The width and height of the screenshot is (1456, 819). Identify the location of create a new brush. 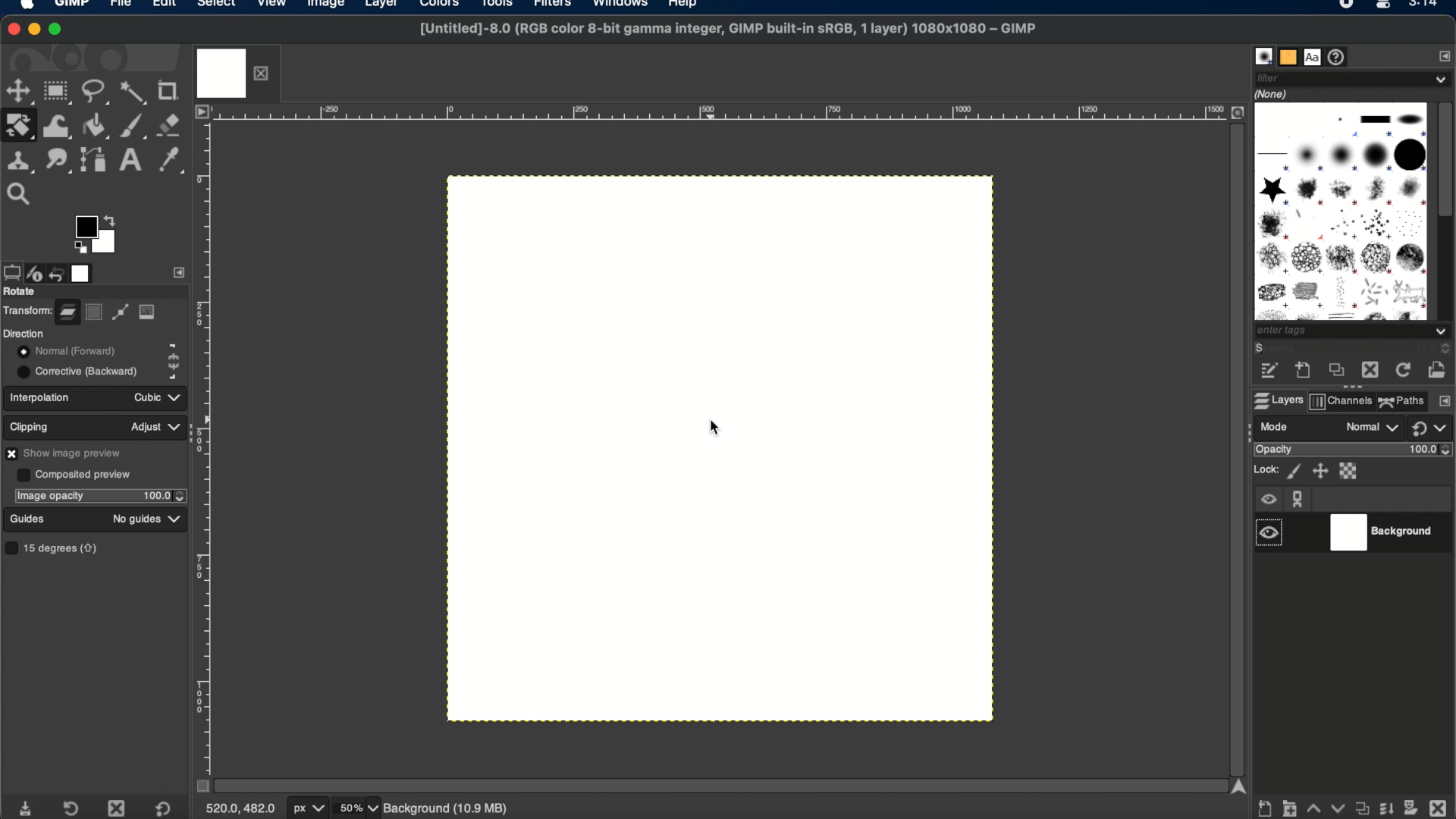
(1304, 372).